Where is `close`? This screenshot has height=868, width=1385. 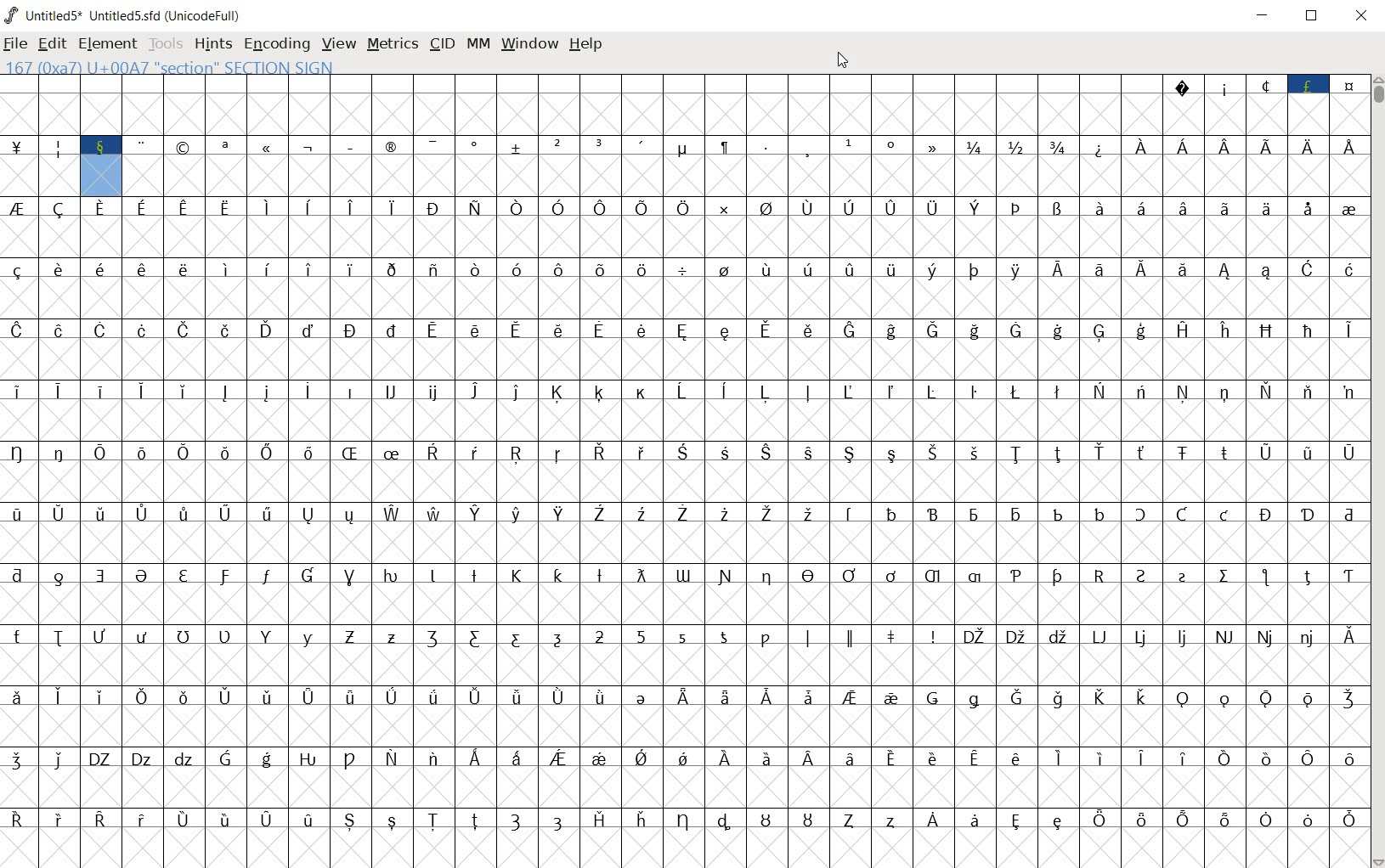 close is located at coordinates (1360, 17).